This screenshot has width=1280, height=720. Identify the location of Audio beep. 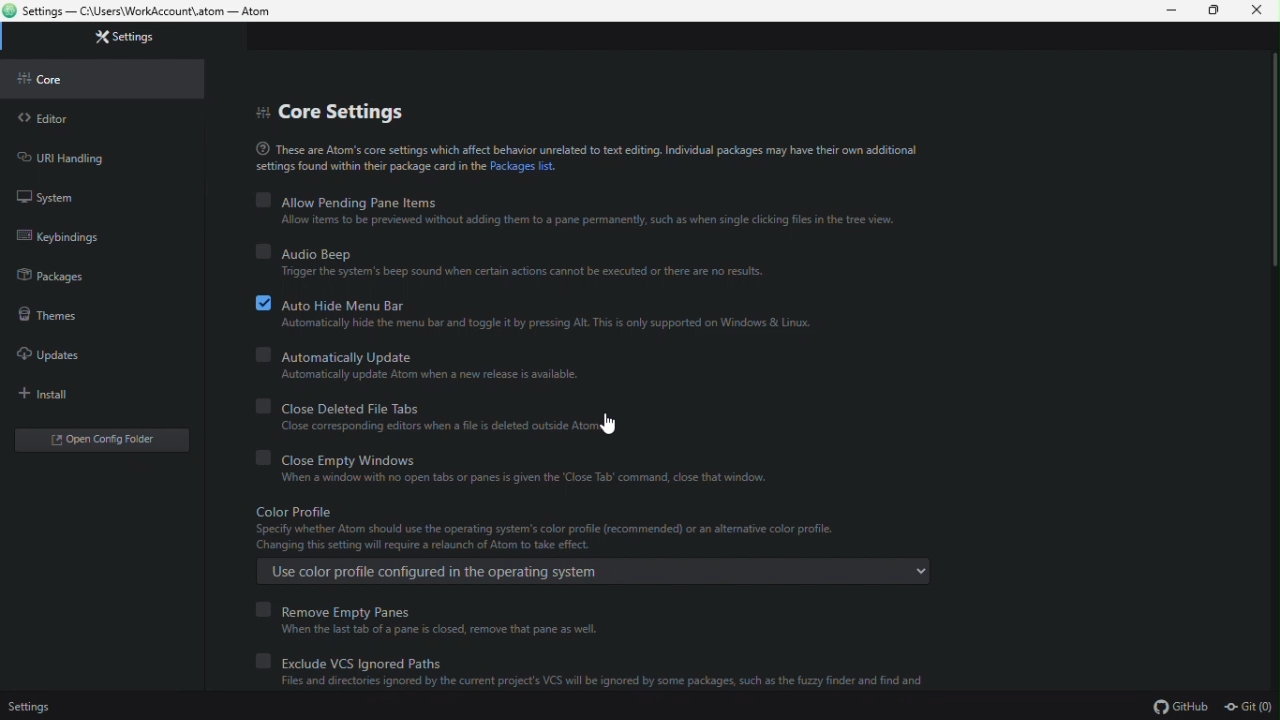
(314, 251).